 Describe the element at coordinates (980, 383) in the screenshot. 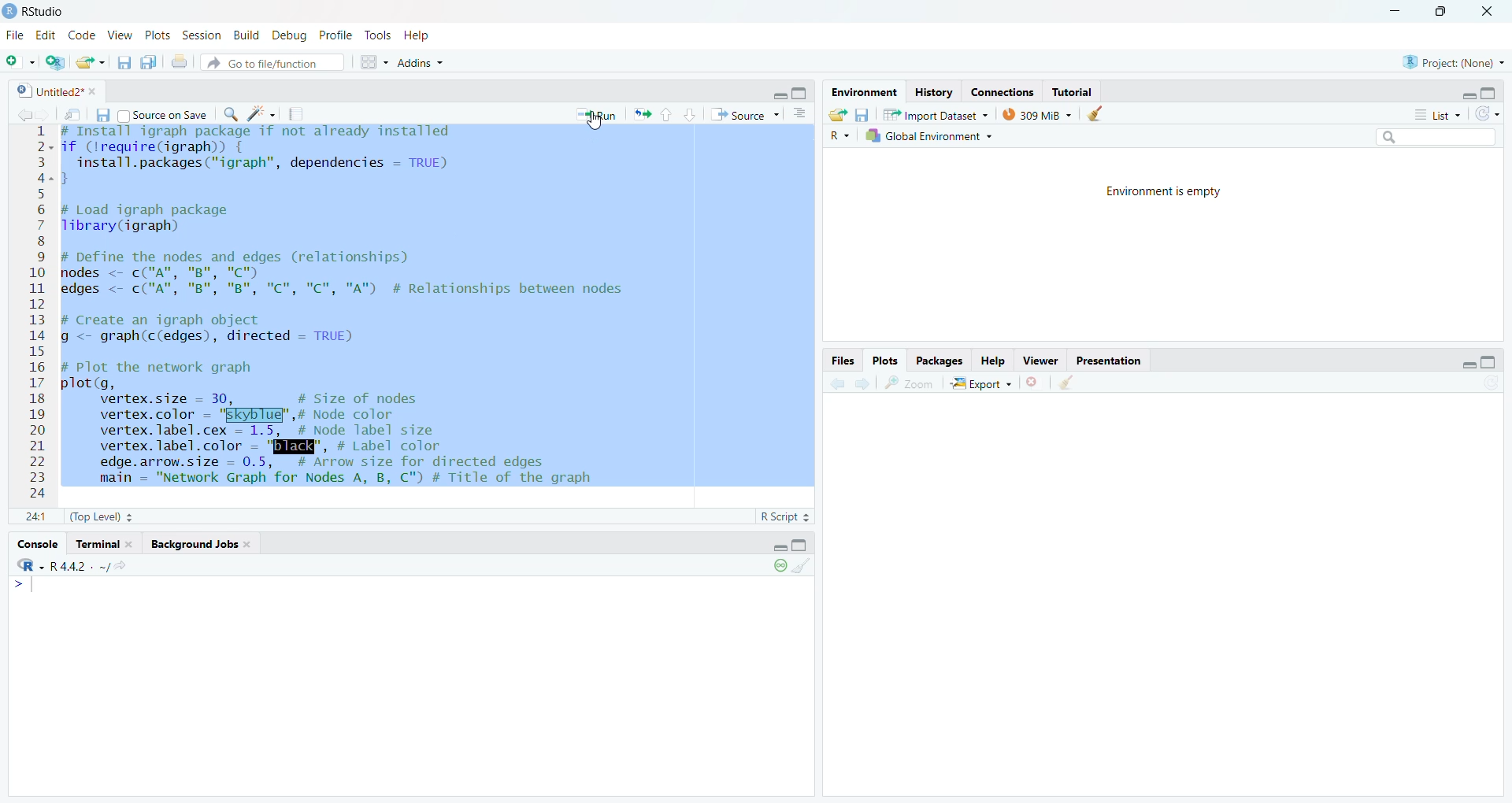

I see `Export +` at that location.